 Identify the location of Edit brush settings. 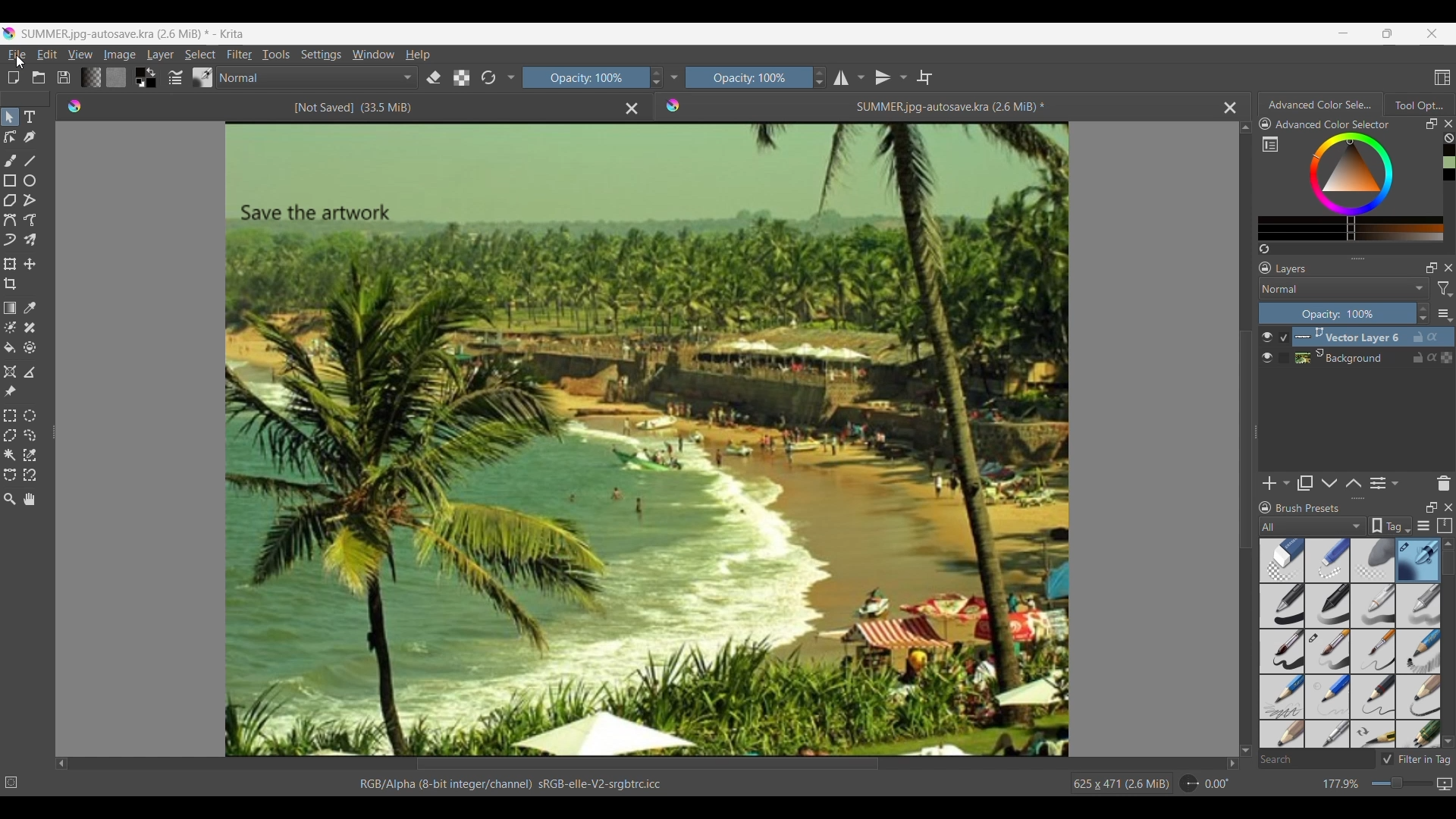
(175, 77).